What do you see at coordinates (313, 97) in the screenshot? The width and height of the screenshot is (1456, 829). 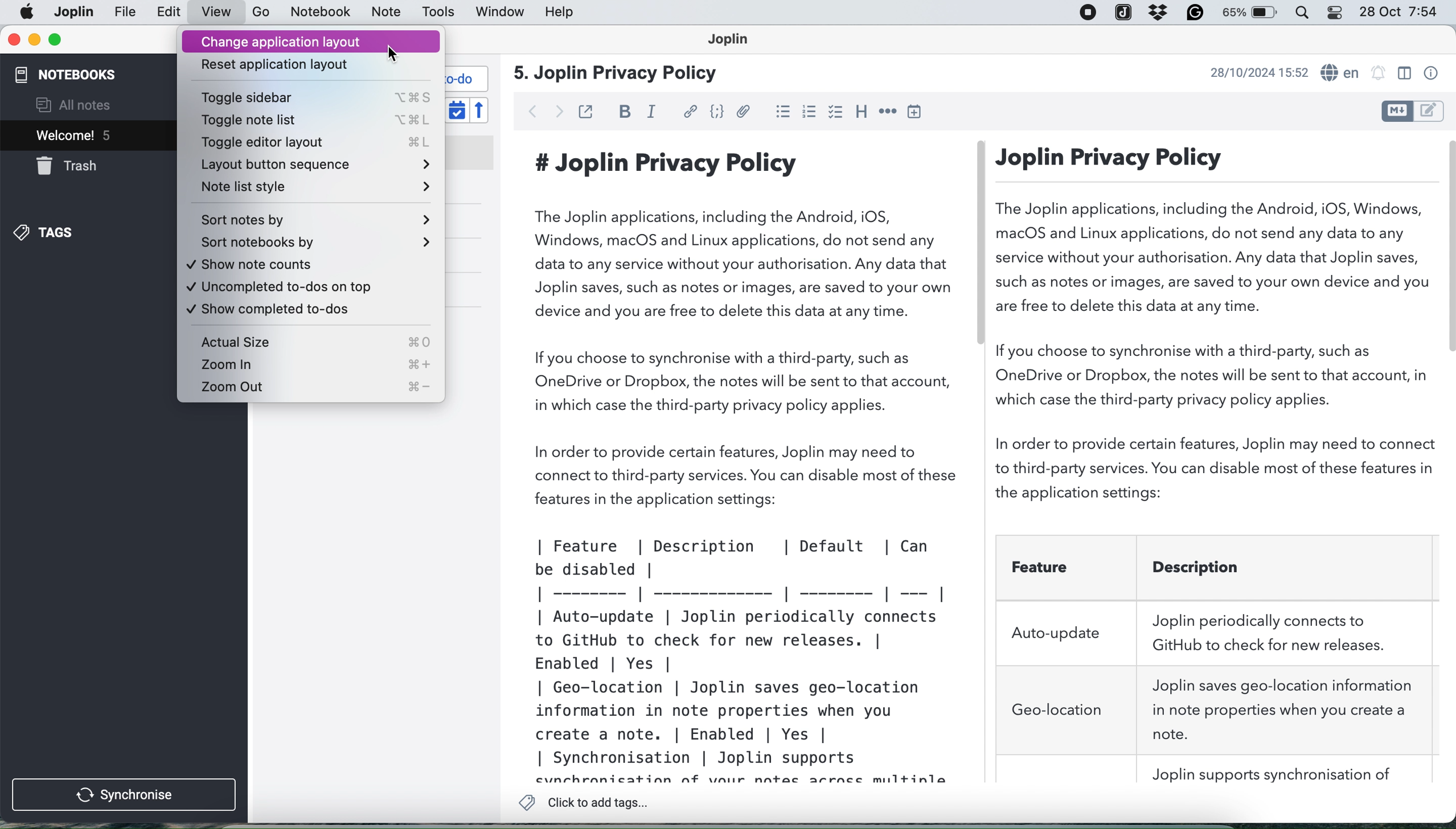 I see `Toggle sidebar` at bounding box center [313, 97].